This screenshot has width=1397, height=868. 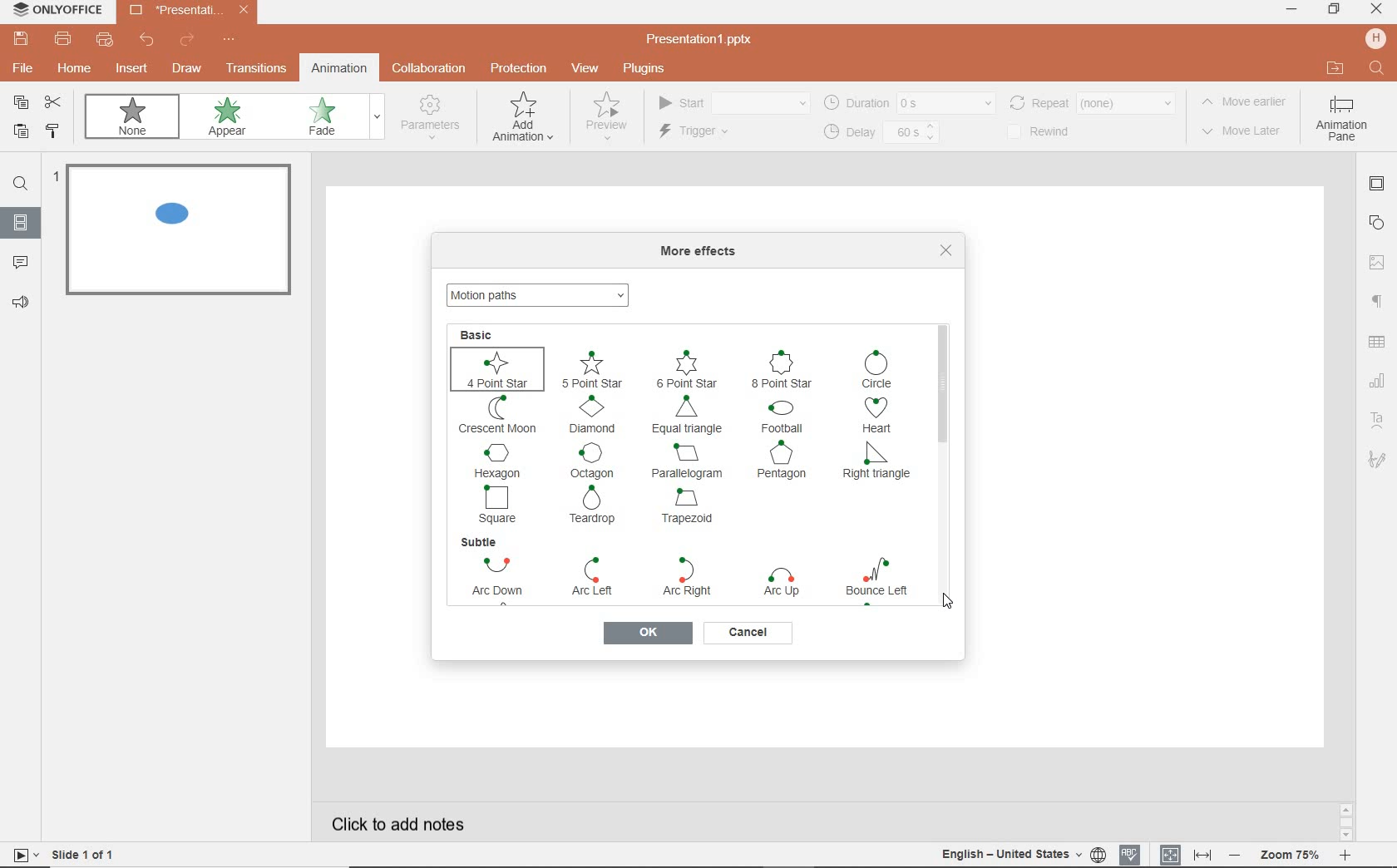 What do you see at coordinates (732, 104) in the screenshot?
I see `start` at bounding box center [732, 104].